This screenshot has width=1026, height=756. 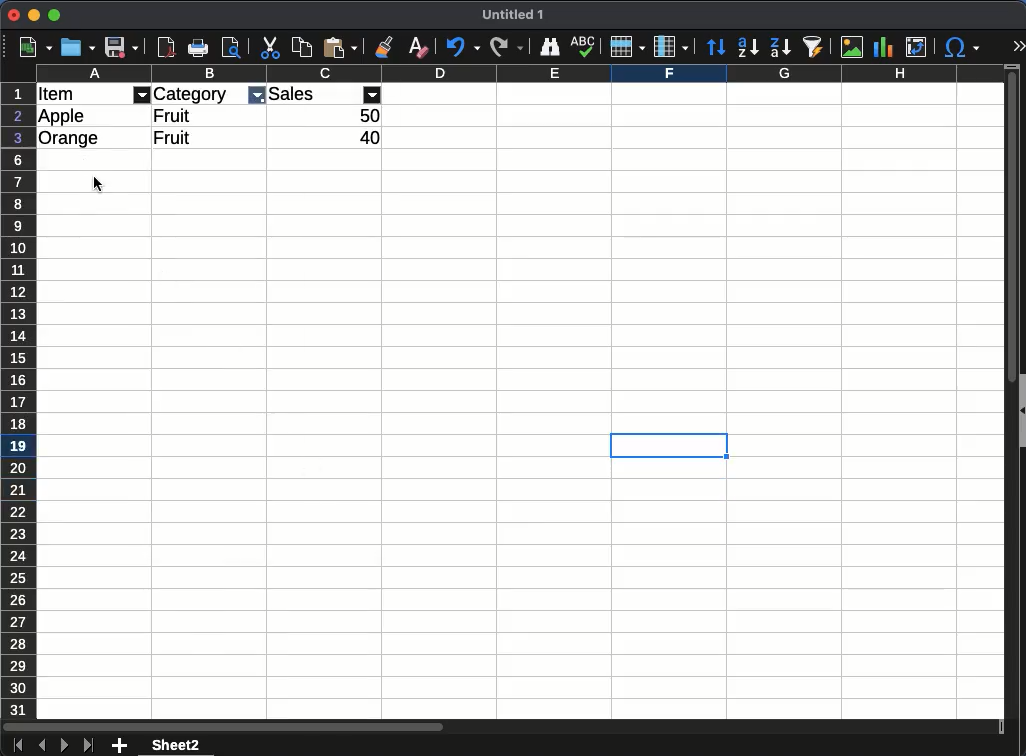 What do you see at coordinates (670, 47) in the screenshot?
I see `column` at bounding box center [670, 47].